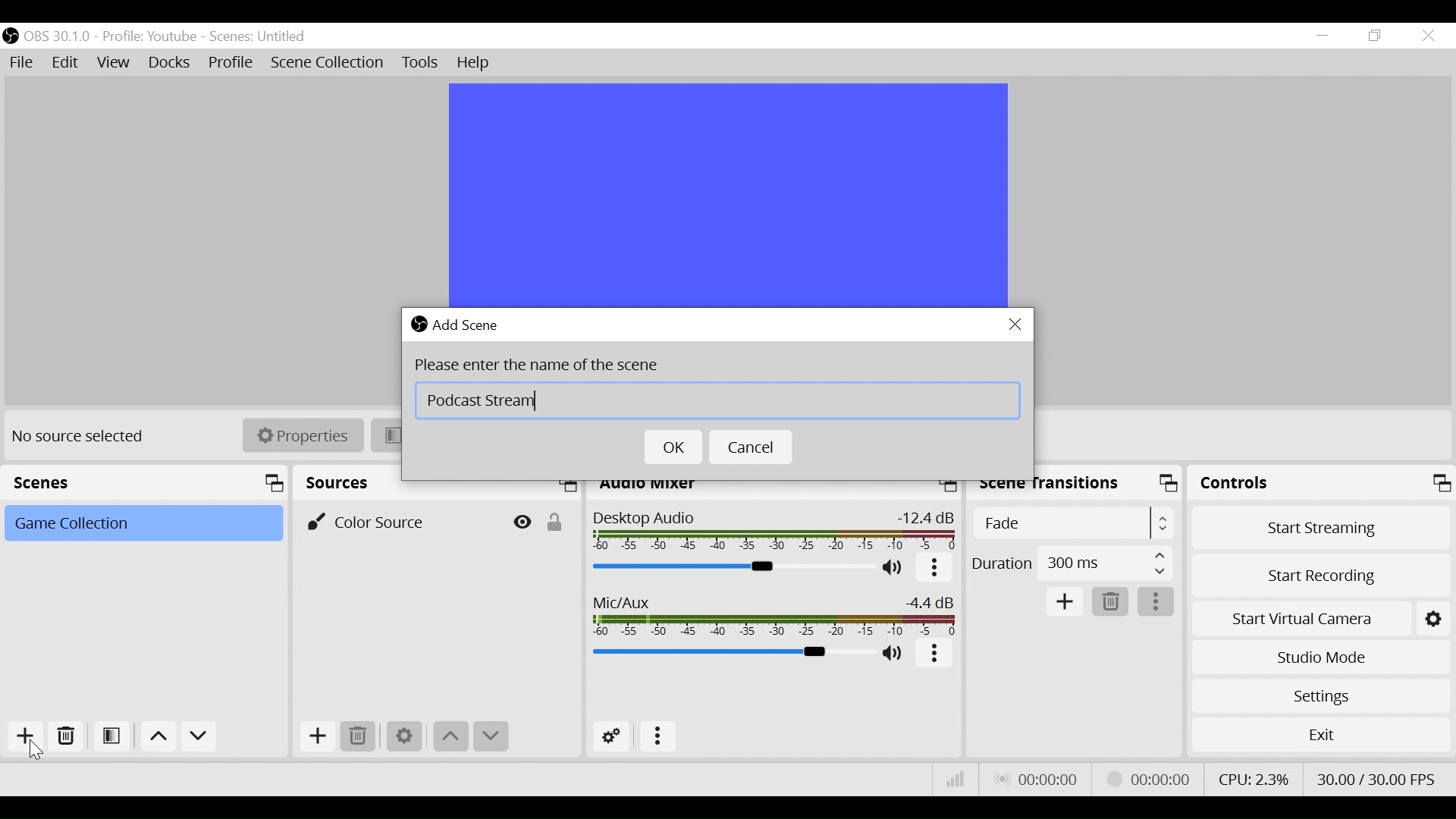 The width and height of the screenshot is (1456, 819). Describe the element at coordinates (612, 736) in the screenshot. I see `Advanced Setting` at that location.